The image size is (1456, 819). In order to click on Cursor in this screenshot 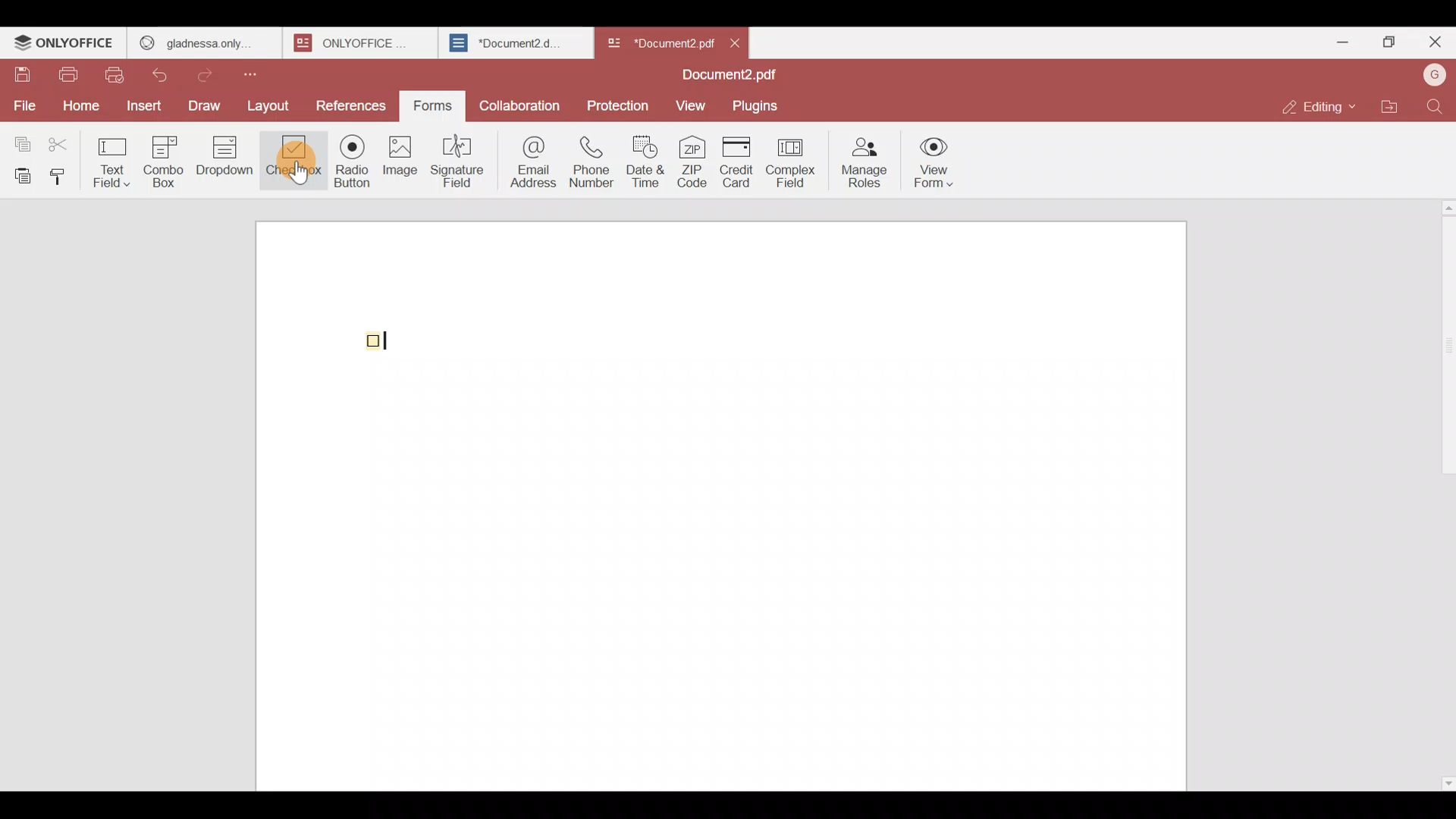, I will do `click(294, 171)`.